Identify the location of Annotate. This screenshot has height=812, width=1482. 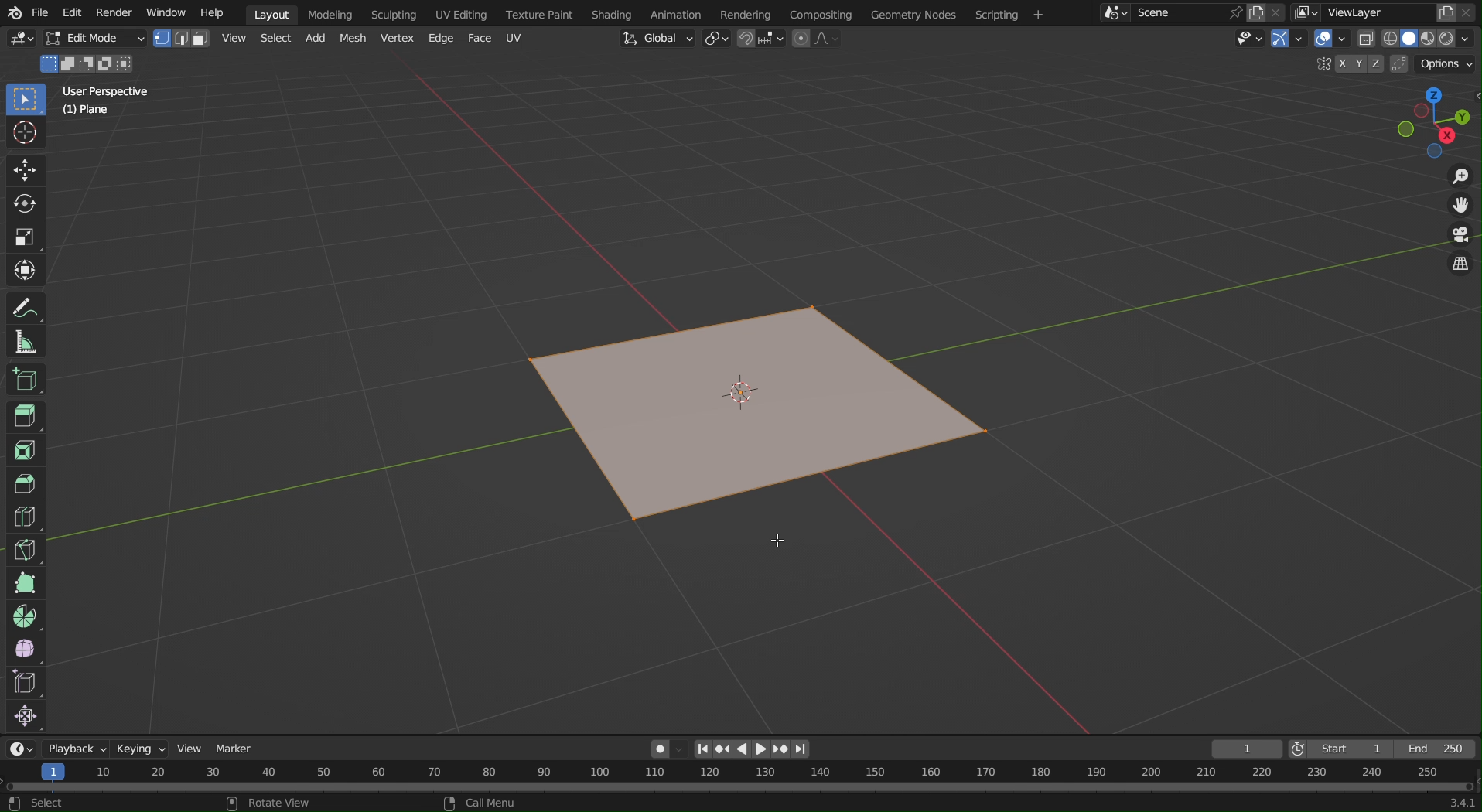
(26, 306).